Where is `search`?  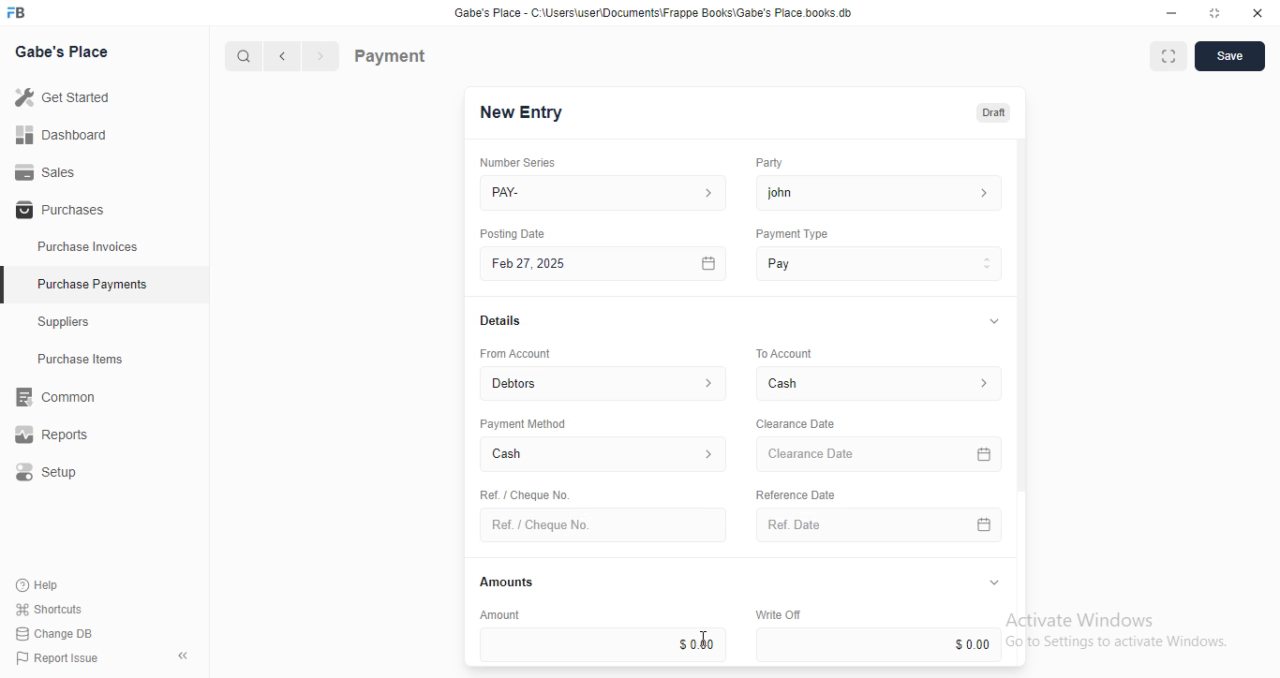 search is located at coordinates (245, 57).